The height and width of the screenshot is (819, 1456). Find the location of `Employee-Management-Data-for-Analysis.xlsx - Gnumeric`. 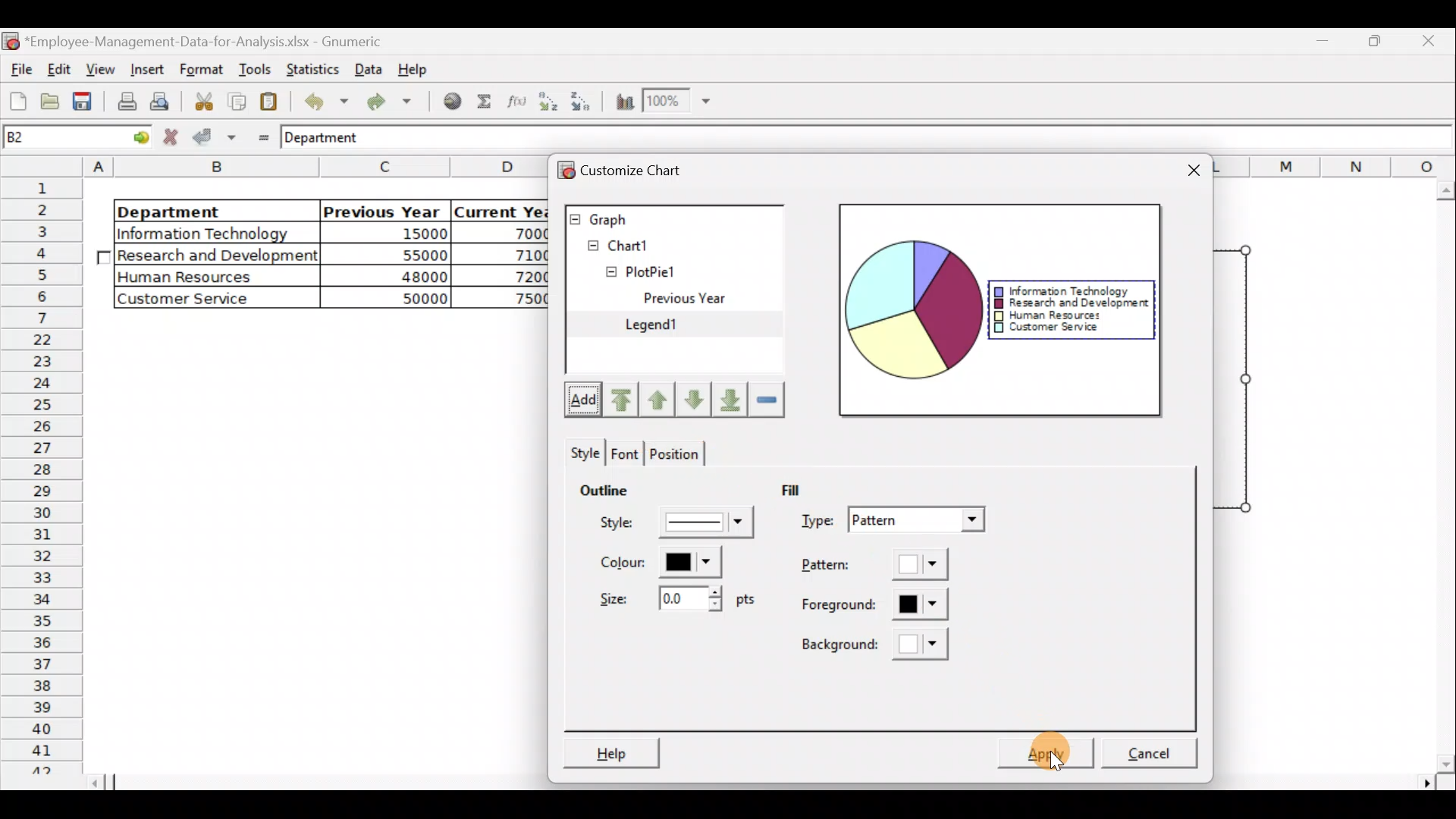

Employee-Management-Data-for-Analysis.xlsx - Gnumeric is located at coordinates (214, 40).